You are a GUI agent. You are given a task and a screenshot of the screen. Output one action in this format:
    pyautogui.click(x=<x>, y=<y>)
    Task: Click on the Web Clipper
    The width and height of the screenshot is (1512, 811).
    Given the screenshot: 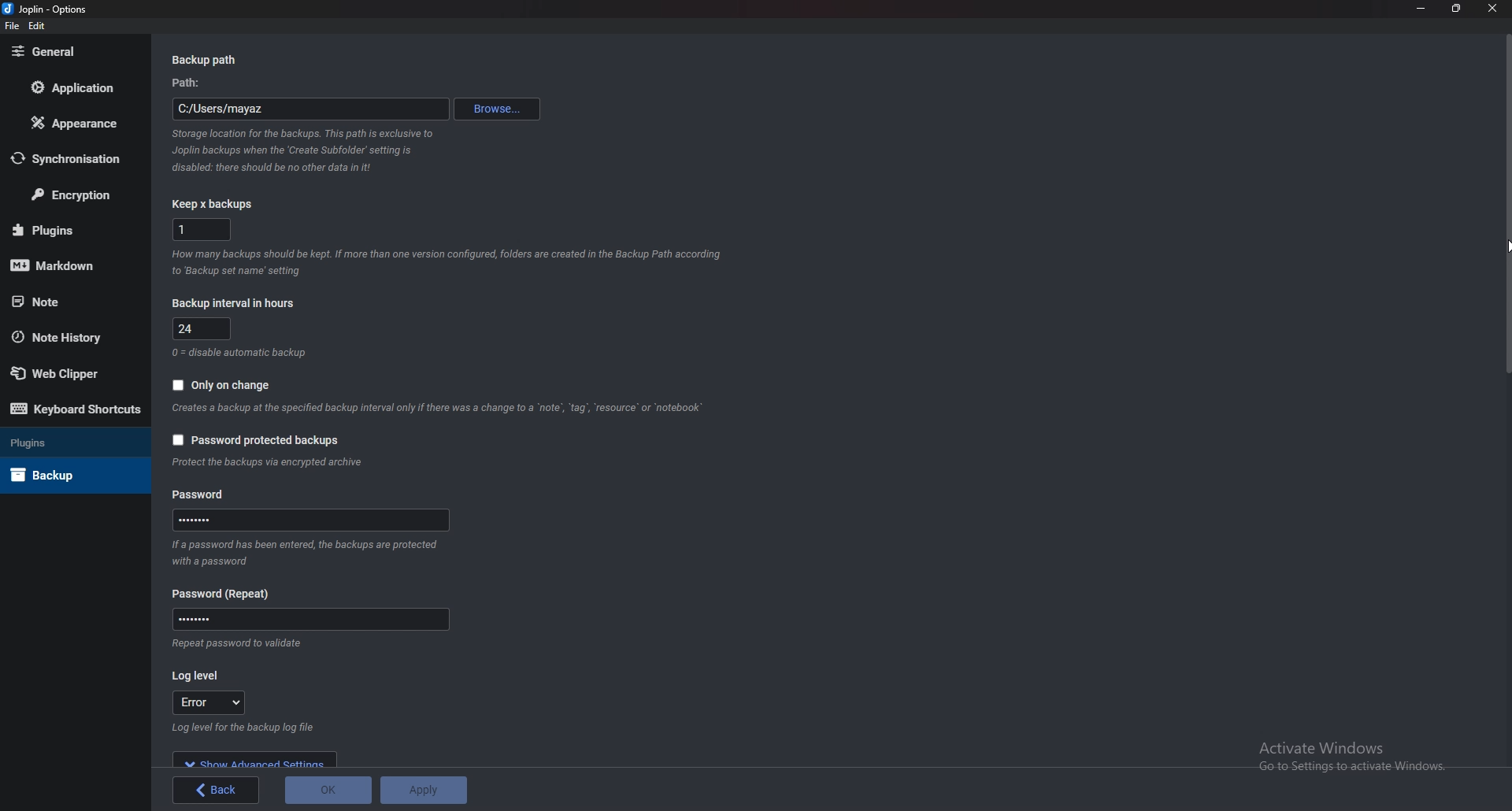 What is the action you would take?
    pyautogui.click(x=61, y=374)
    